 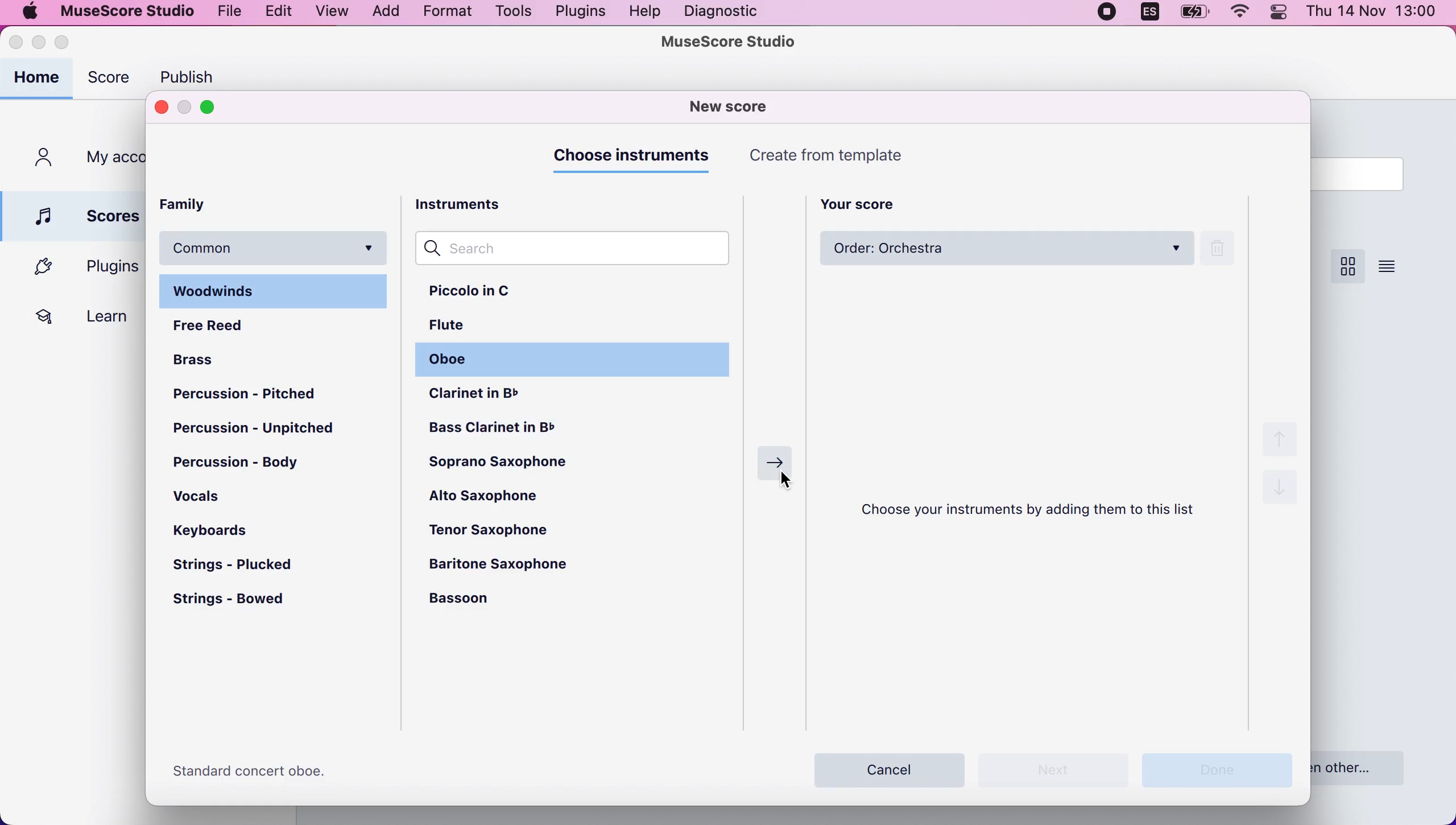 What do you see at coordinates (471, 206) in the screenshot?
I see `instruments` at bounding box center [471, 206].